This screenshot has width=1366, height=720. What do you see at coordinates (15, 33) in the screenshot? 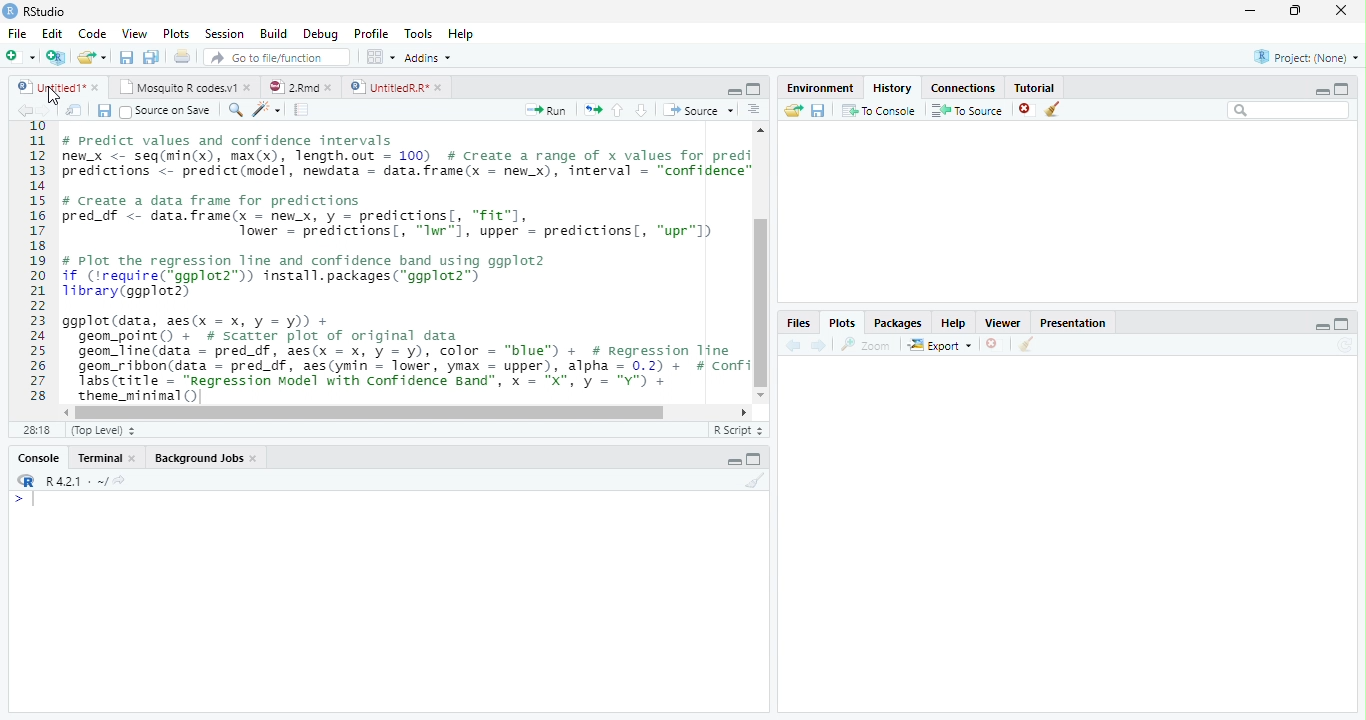
I see `File` at bounding box center [15, 33].